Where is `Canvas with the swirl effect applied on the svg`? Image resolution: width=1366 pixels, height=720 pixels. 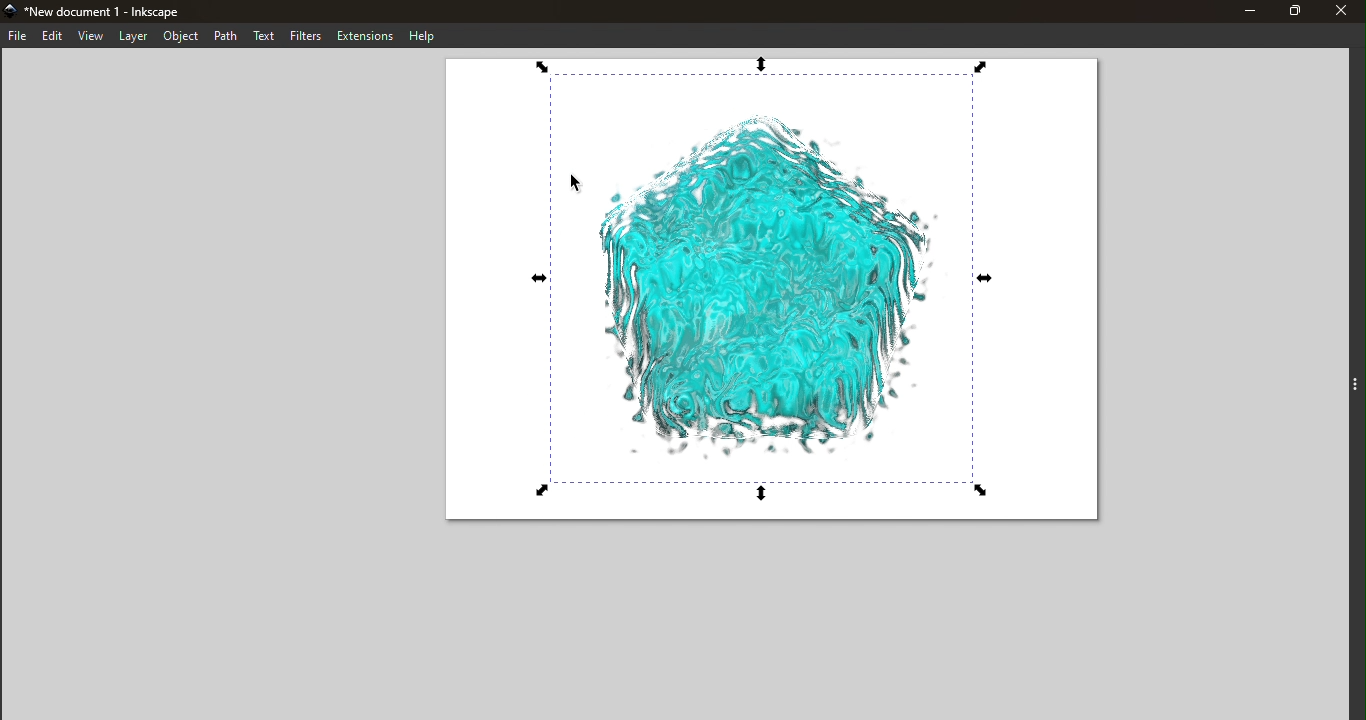 Canvas with the swirl effect applied on the svg is located at coordinates (773, 293).